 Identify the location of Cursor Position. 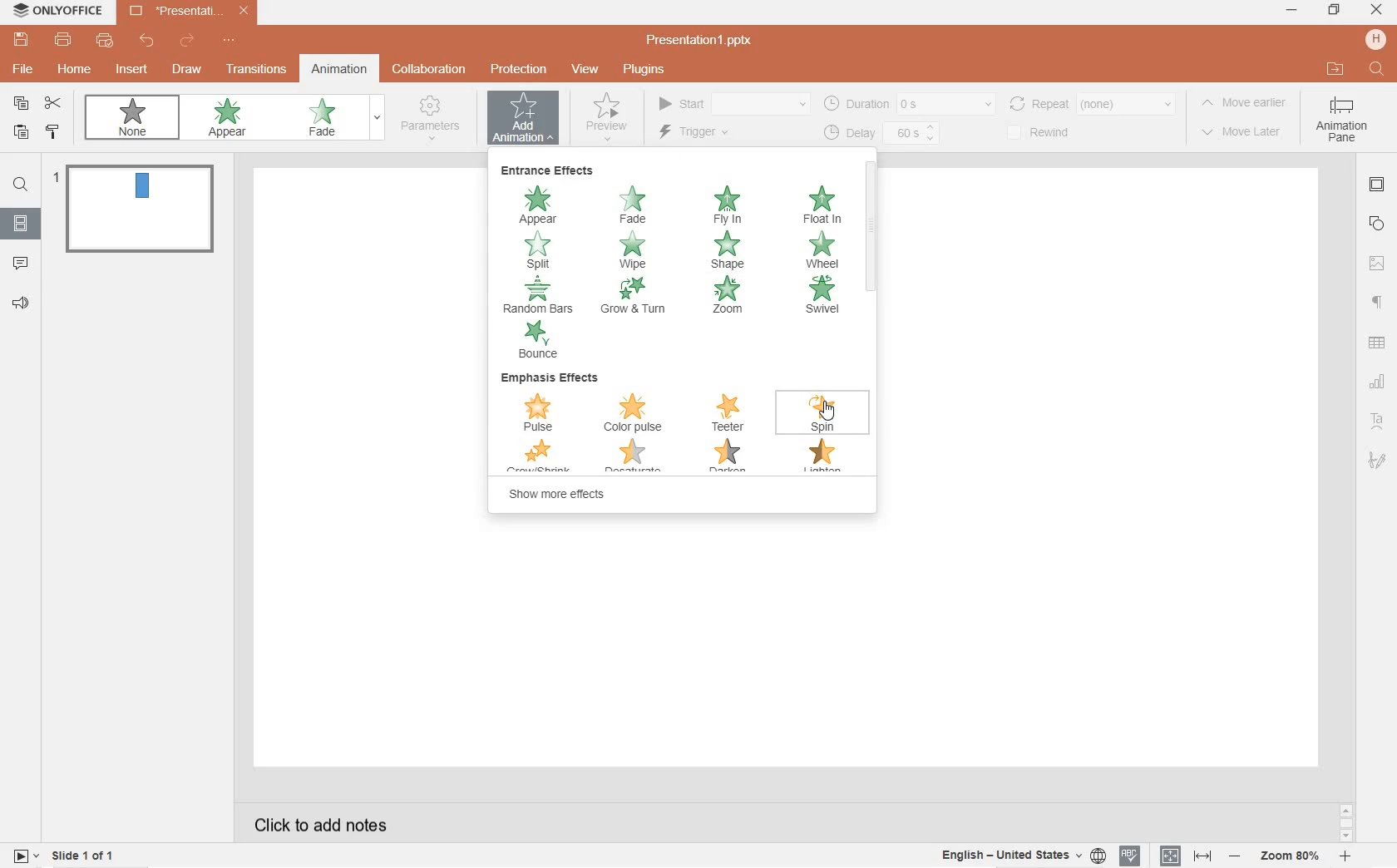
(830, 411).